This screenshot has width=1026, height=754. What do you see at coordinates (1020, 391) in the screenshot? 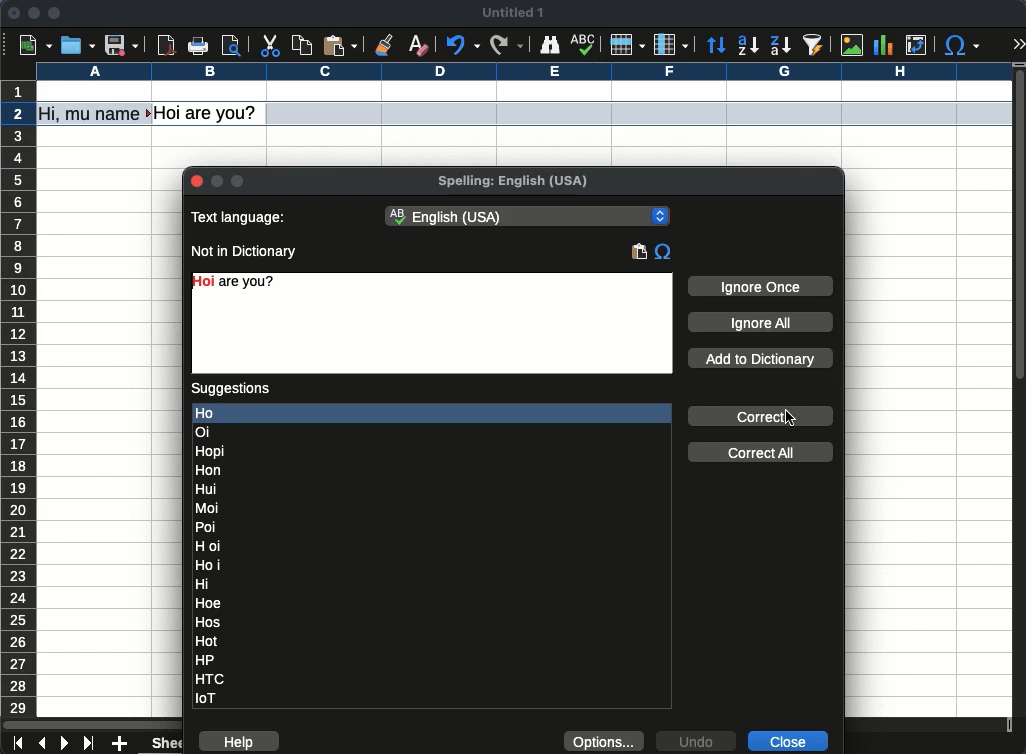
I see `scroll` at bounding box center [1020, 391].